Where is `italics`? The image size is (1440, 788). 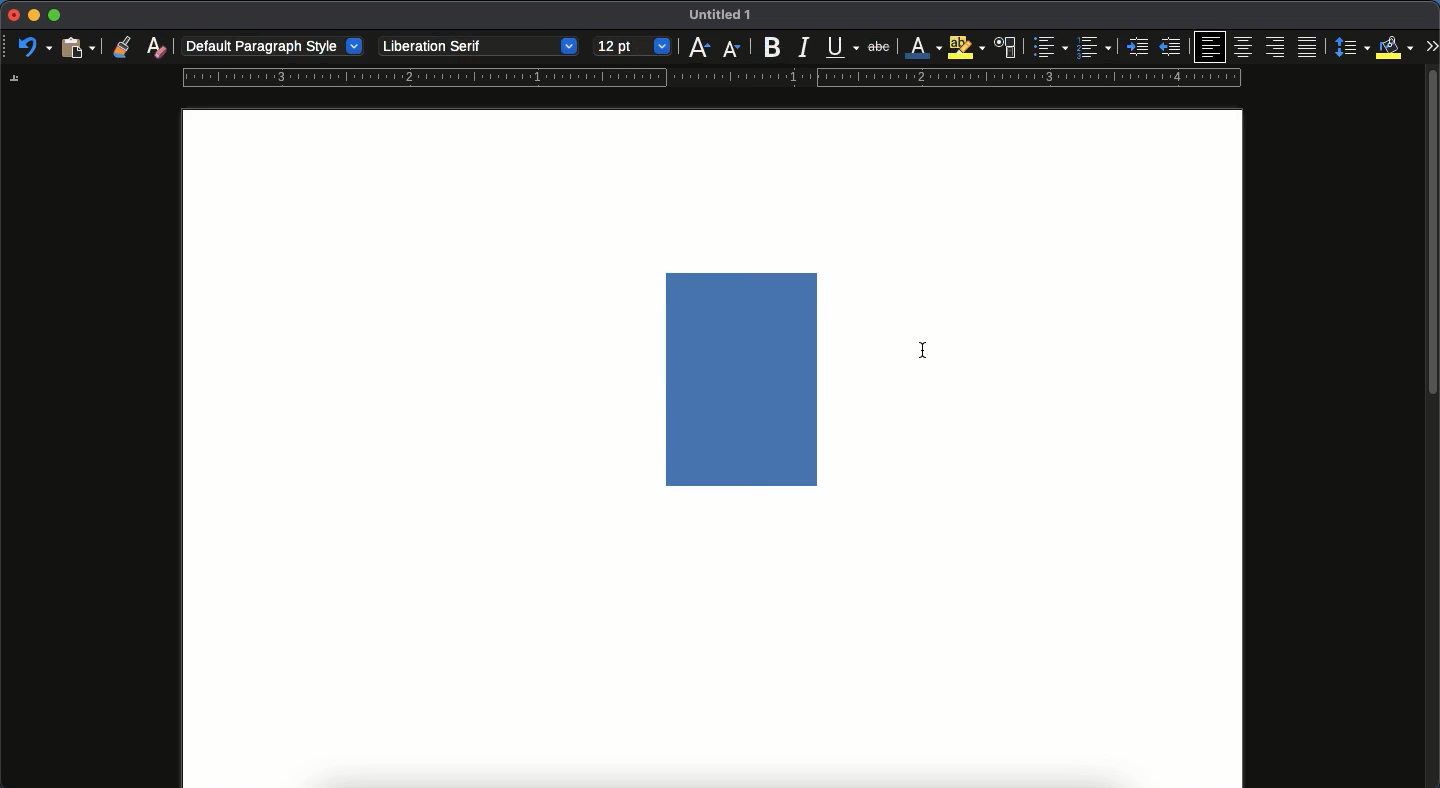
italics is located at coordinates (803, 46).